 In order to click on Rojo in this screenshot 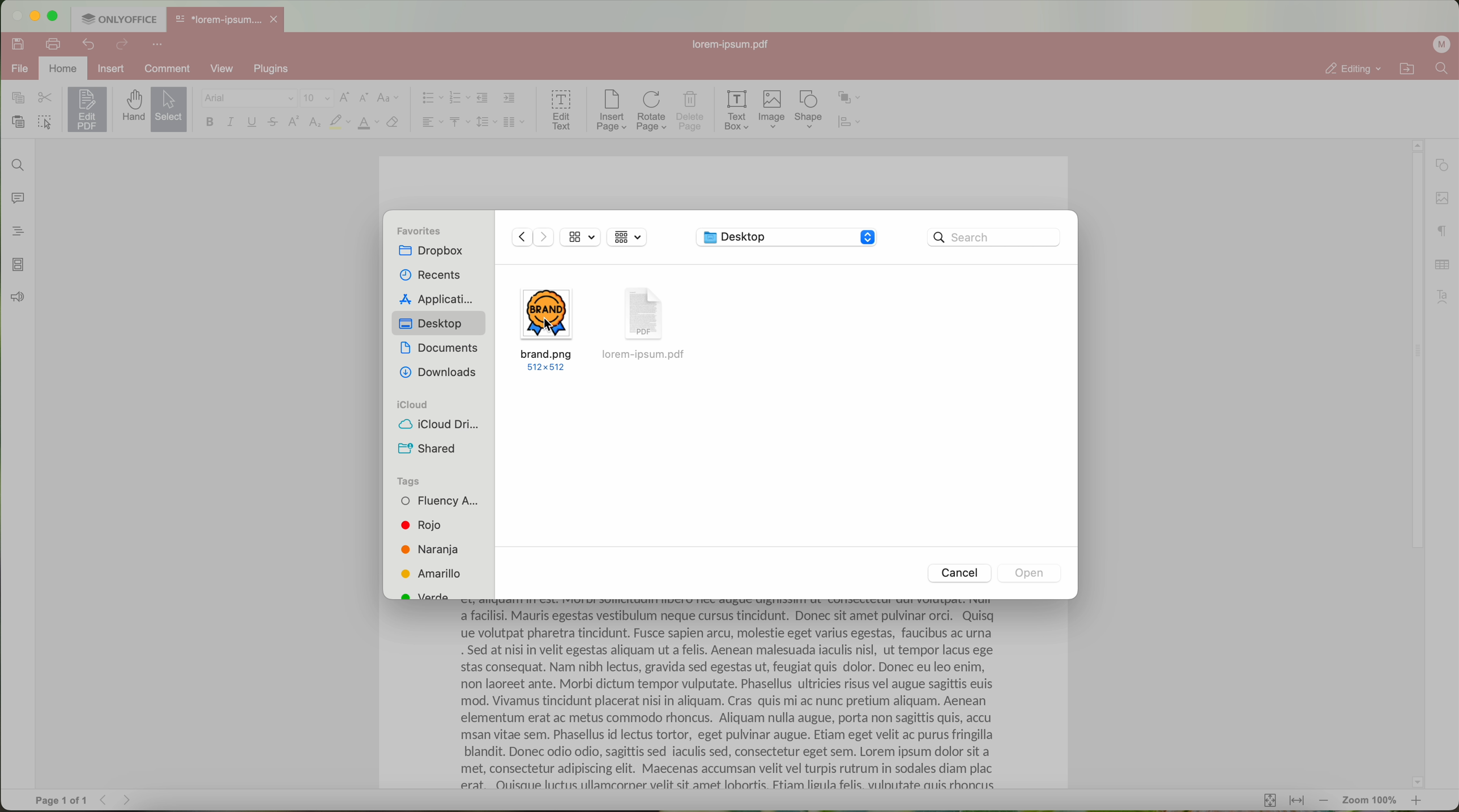, I will do `click(421, 525)`.